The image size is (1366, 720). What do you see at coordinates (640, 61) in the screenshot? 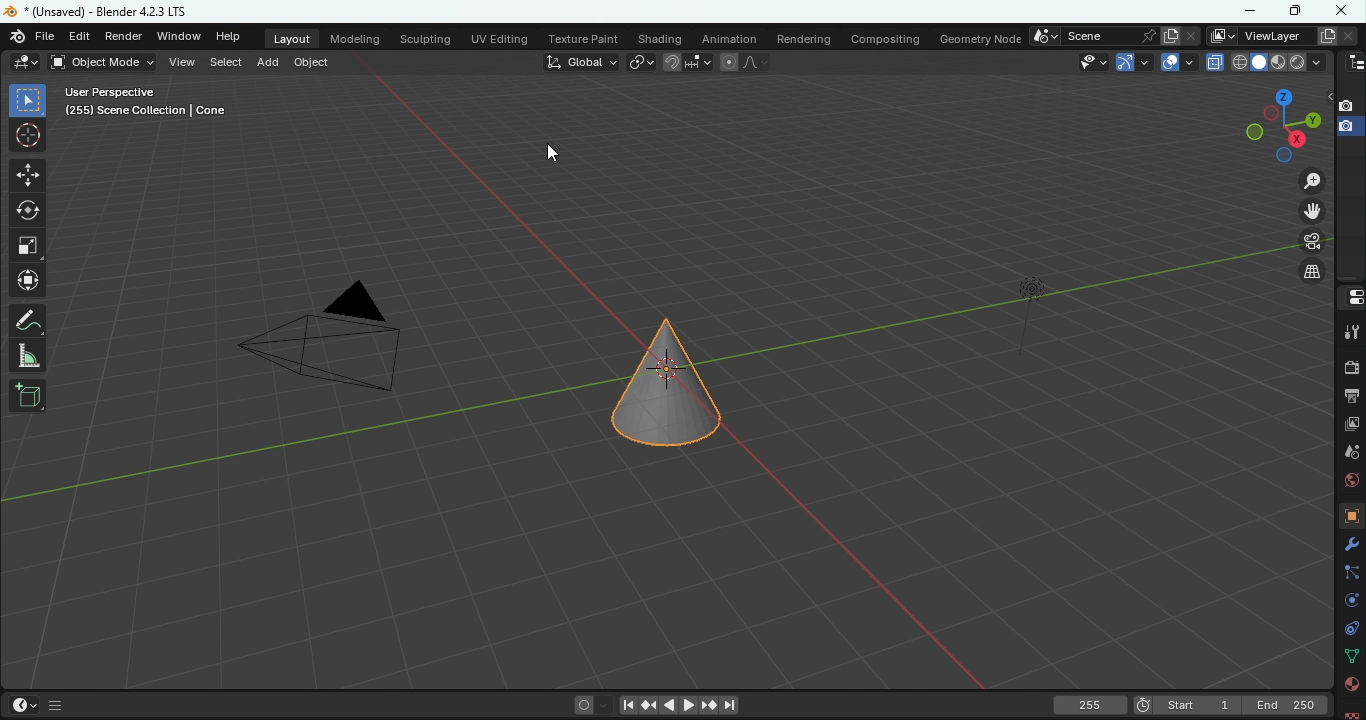
I see `Transforming pivot point` at bounding box center [640, 61].